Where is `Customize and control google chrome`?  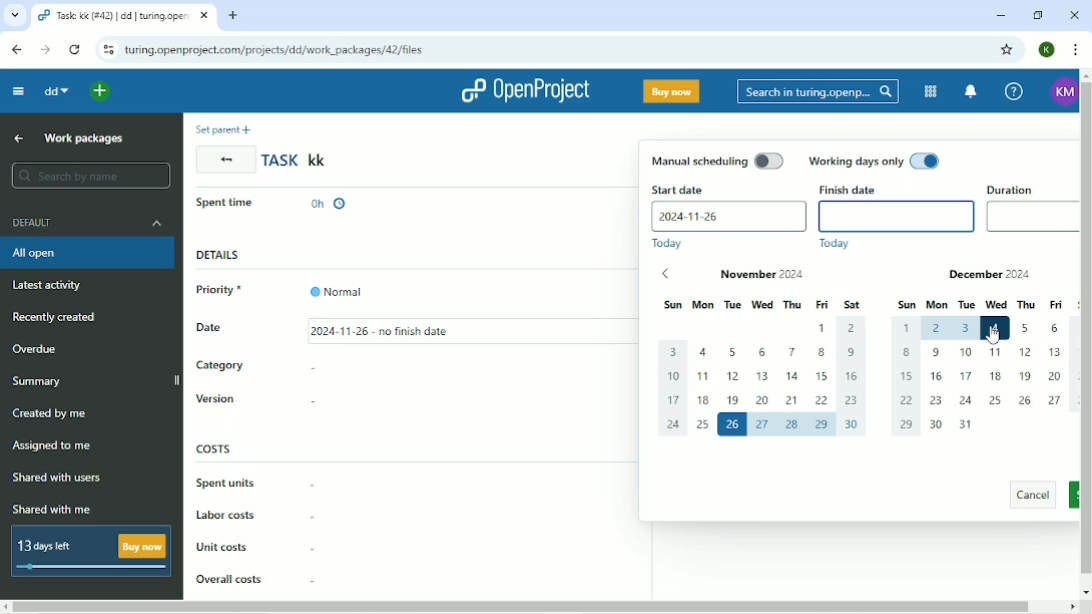 Customize and control google chrome is located at coordinates (1074, 50).